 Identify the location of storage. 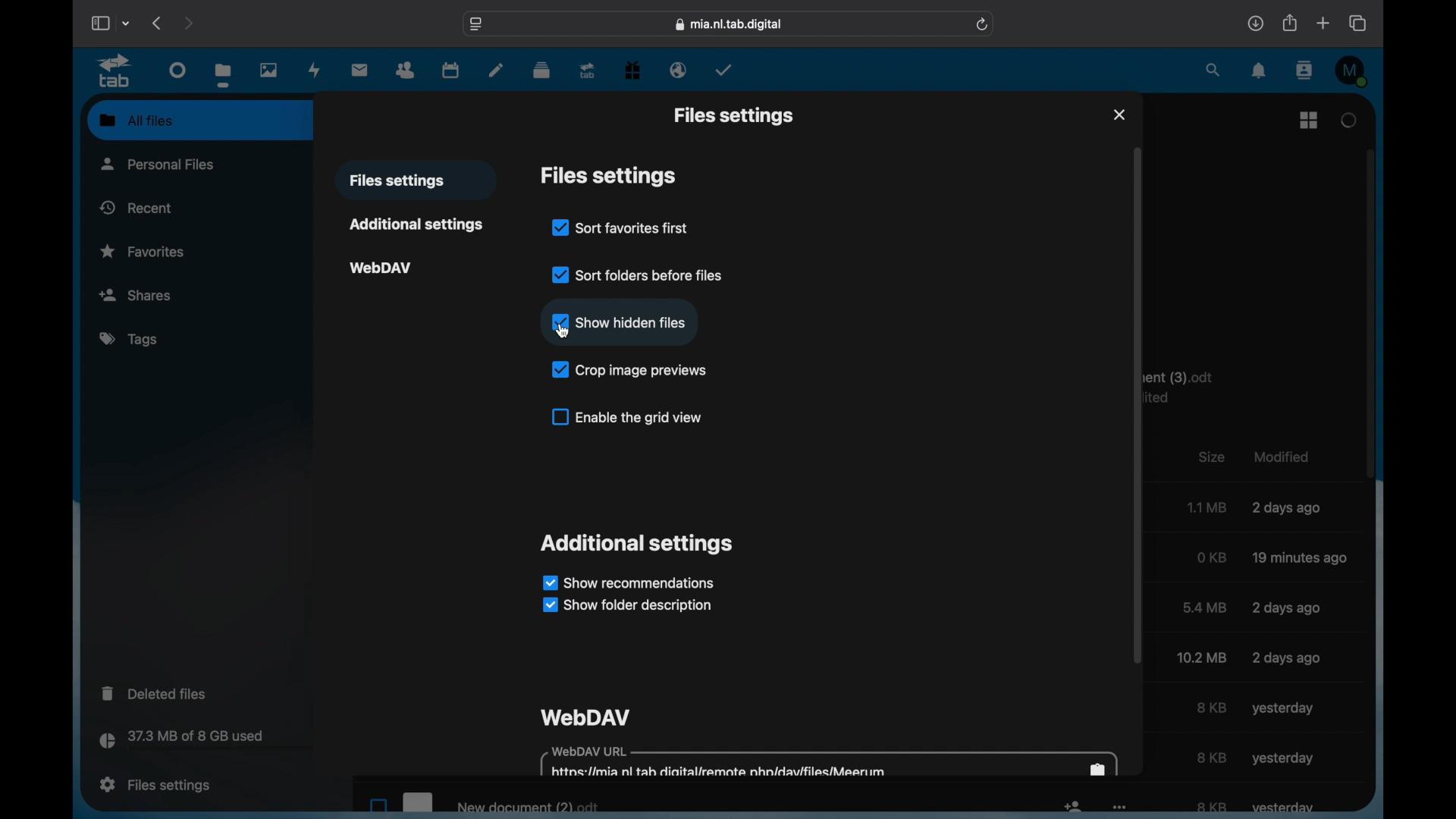
(215, 742).